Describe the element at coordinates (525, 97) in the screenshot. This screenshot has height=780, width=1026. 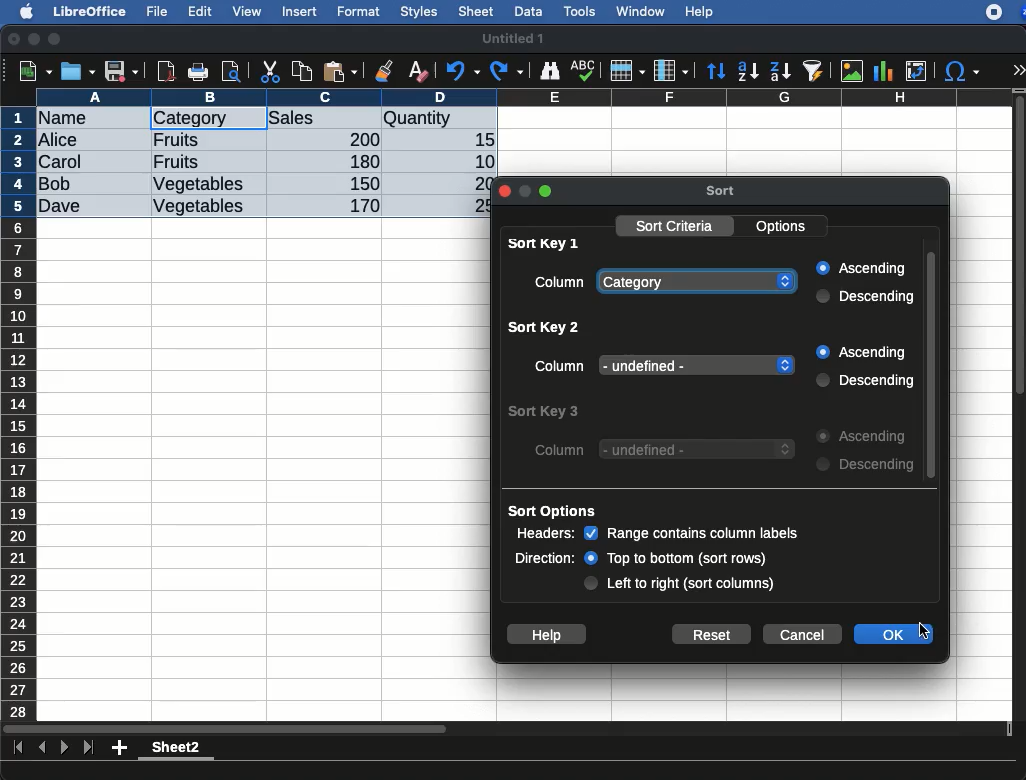
I see `column` at that location.